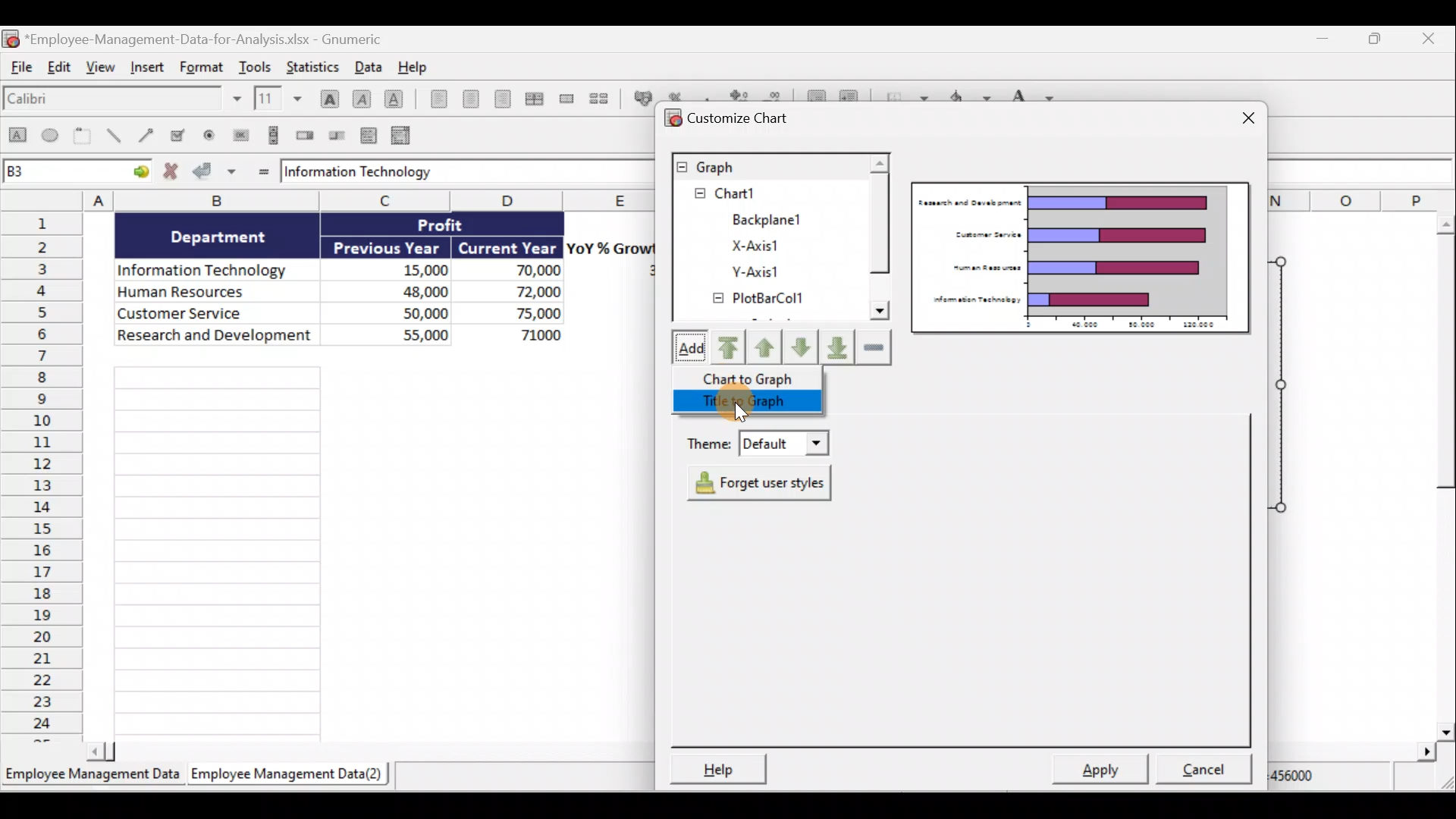 The height and width of the screenshot is (819, 1456). What do you see at coordinates (765, 483) in the screenshot?
I see `Forget user styles` at bounding box center [765, 483].